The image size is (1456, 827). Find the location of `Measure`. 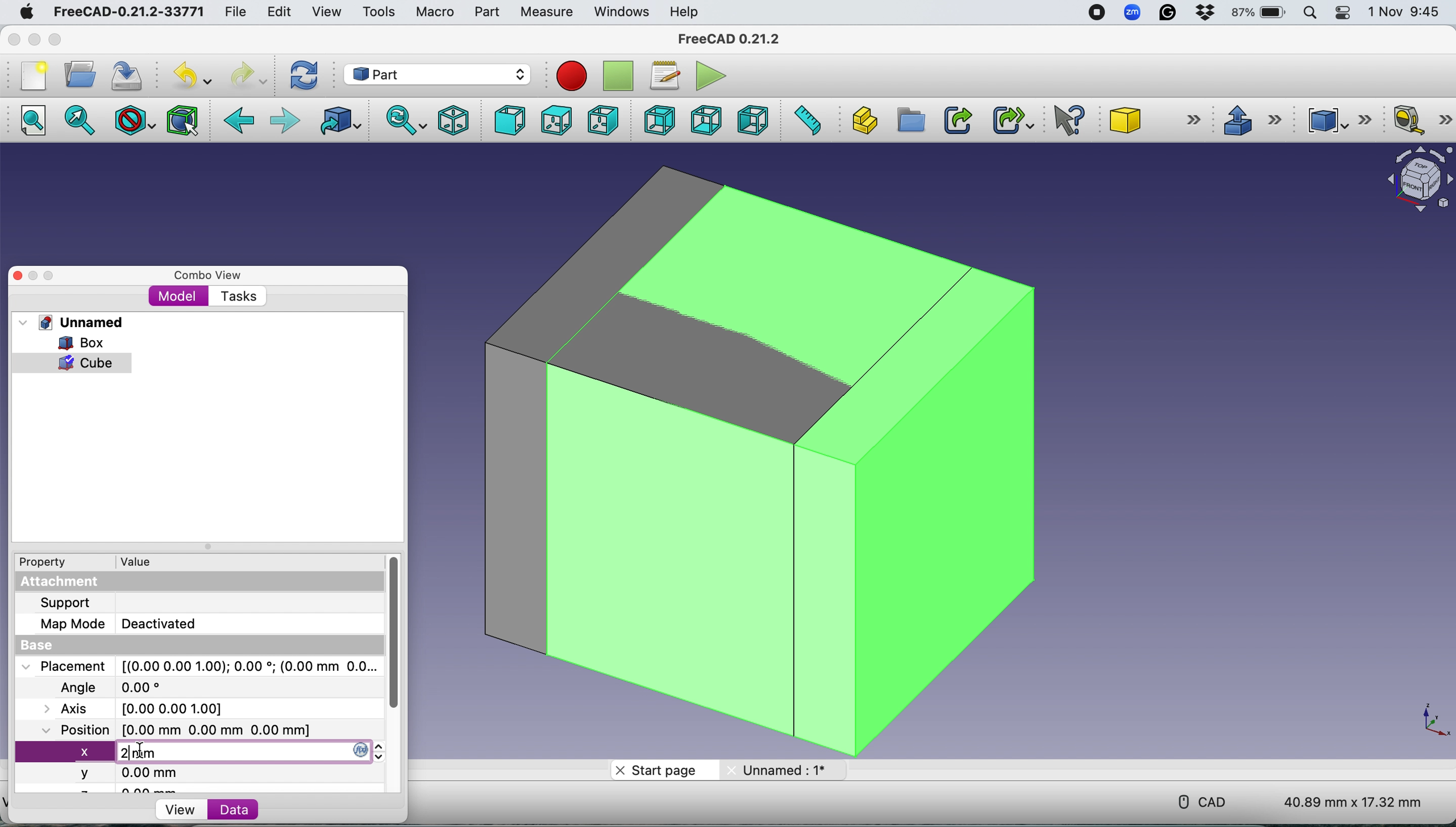

Measure is located at coordinates (549, 13).